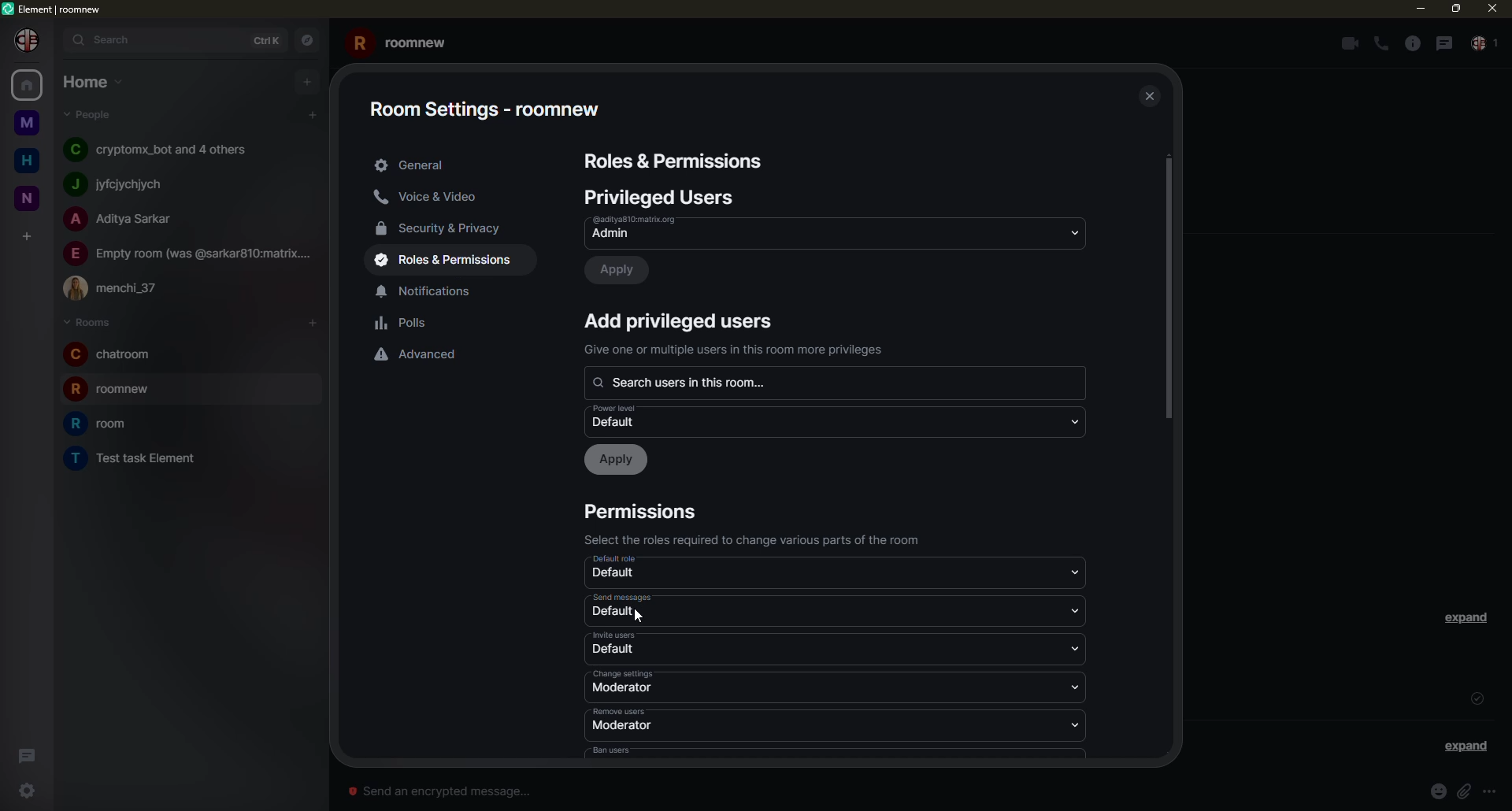 Image resolution: width=1512 pixels, height=811 pixels. What do you see at coordinates (309, 39) in the screenshot?
I see `navigator` at bounding box center [309, 39].